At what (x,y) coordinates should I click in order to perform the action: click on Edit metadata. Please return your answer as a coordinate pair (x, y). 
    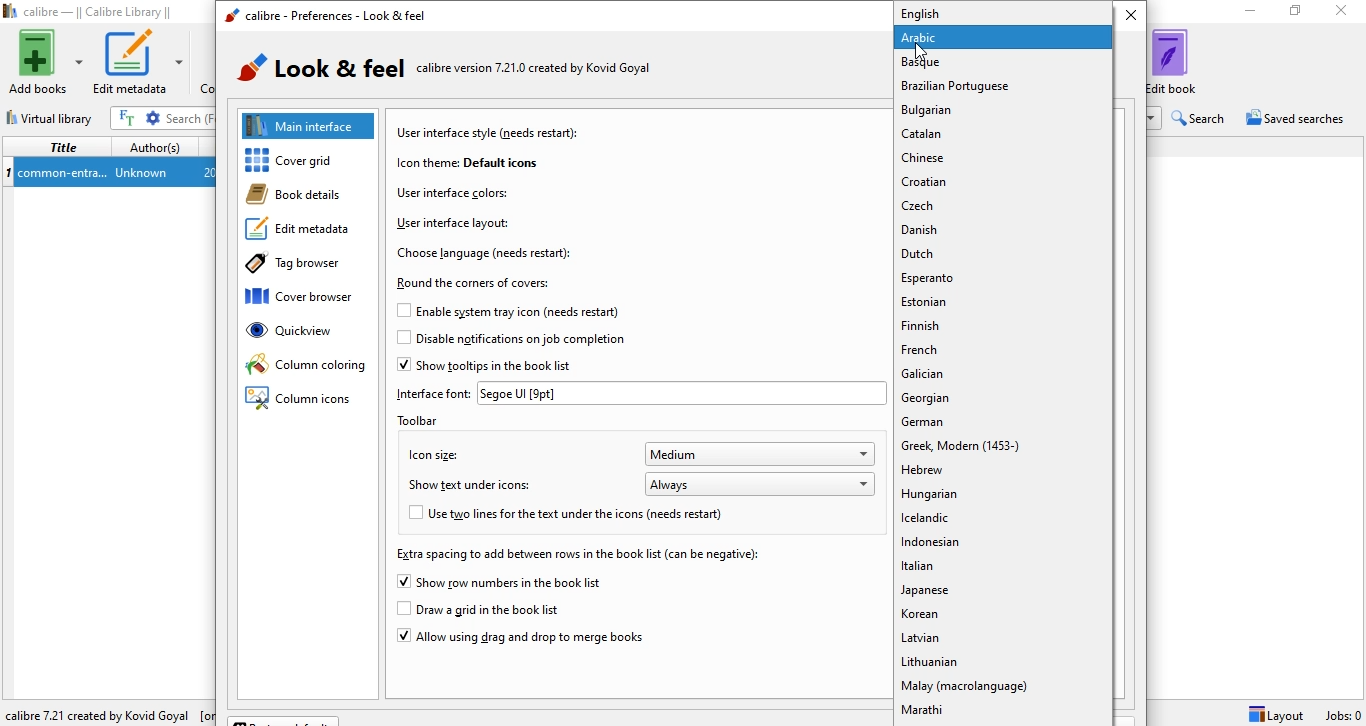
    Looking at the image, I should click on (140, 62).